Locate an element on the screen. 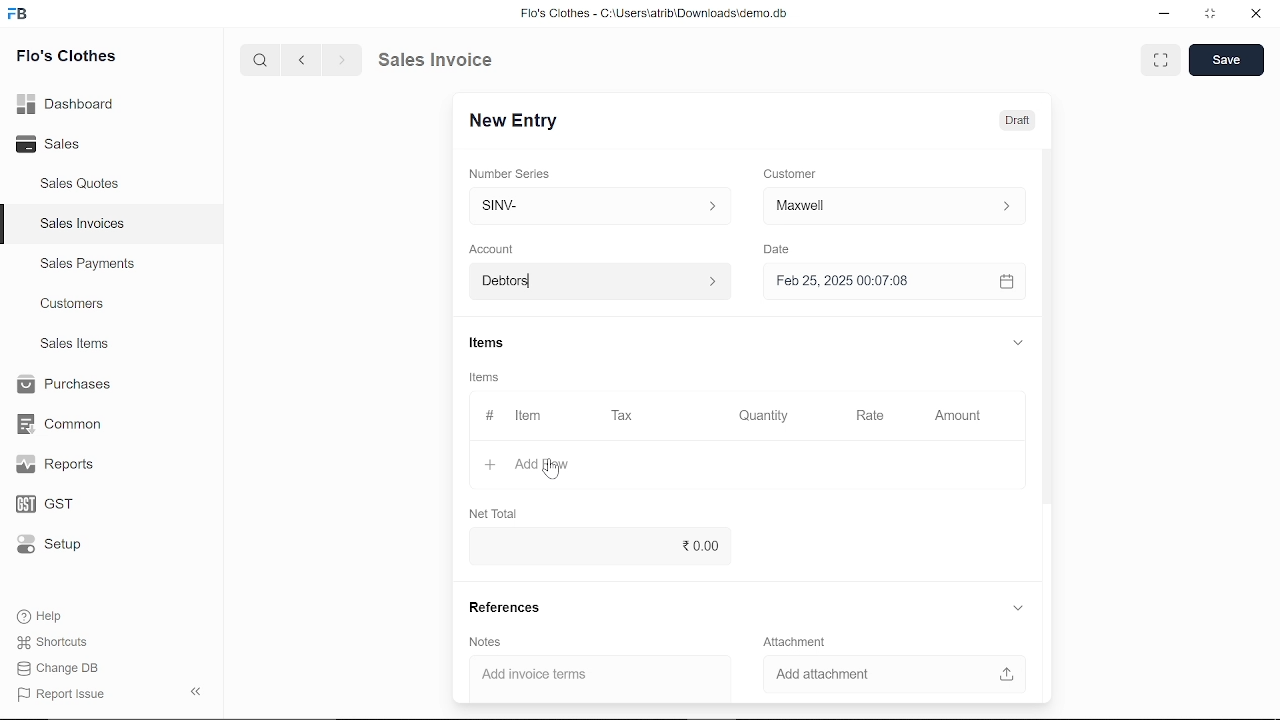 The image size is (1280, 720). Help is located at coordinates (42, 616).